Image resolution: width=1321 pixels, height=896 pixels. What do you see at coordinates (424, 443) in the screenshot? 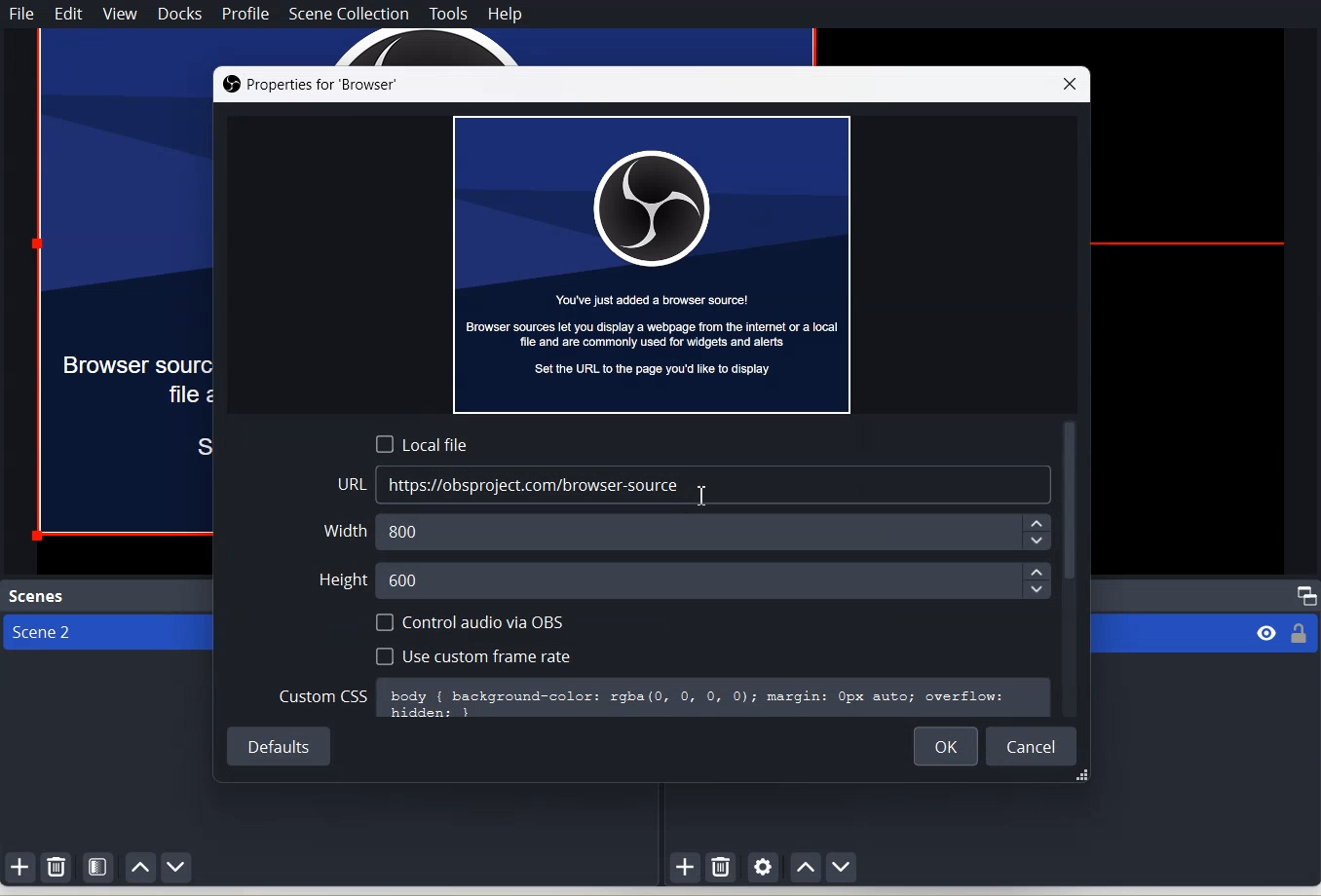
I see `Local File` at bounding box center [424, 443].